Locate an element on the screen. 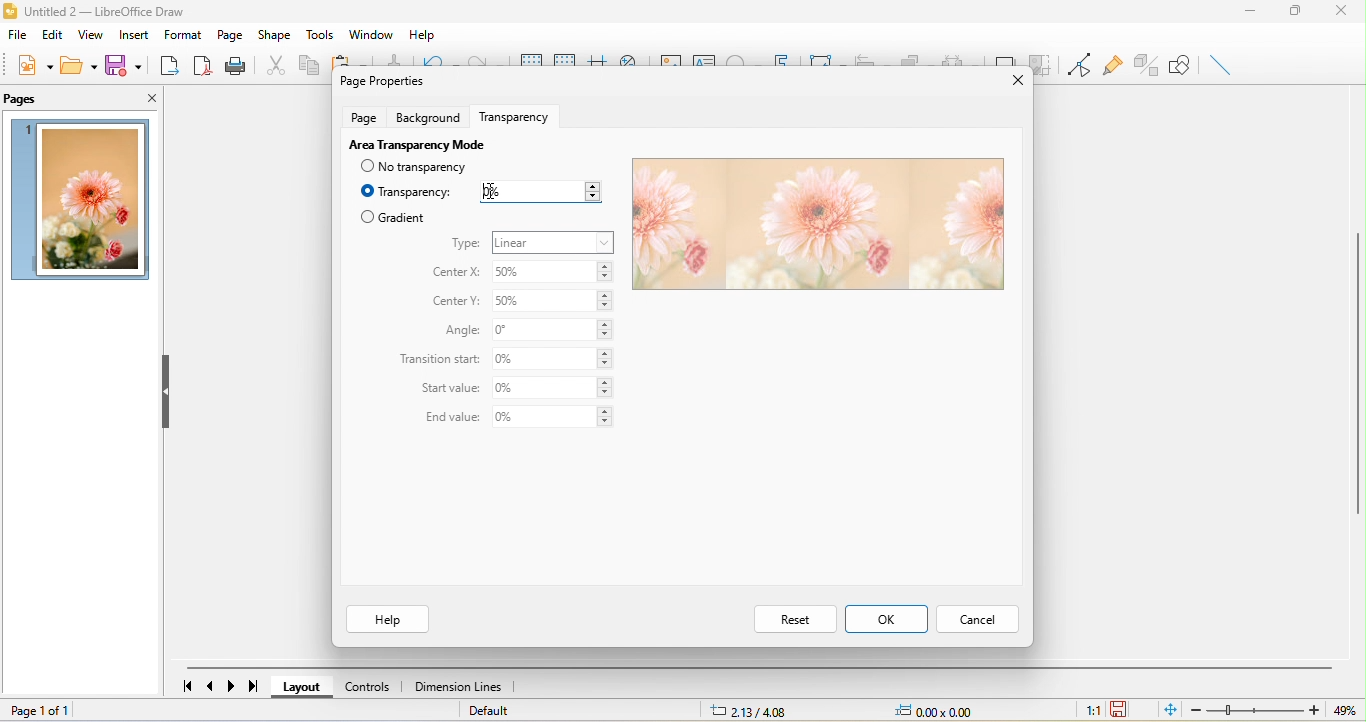  page is located at coordinates (363, 116).